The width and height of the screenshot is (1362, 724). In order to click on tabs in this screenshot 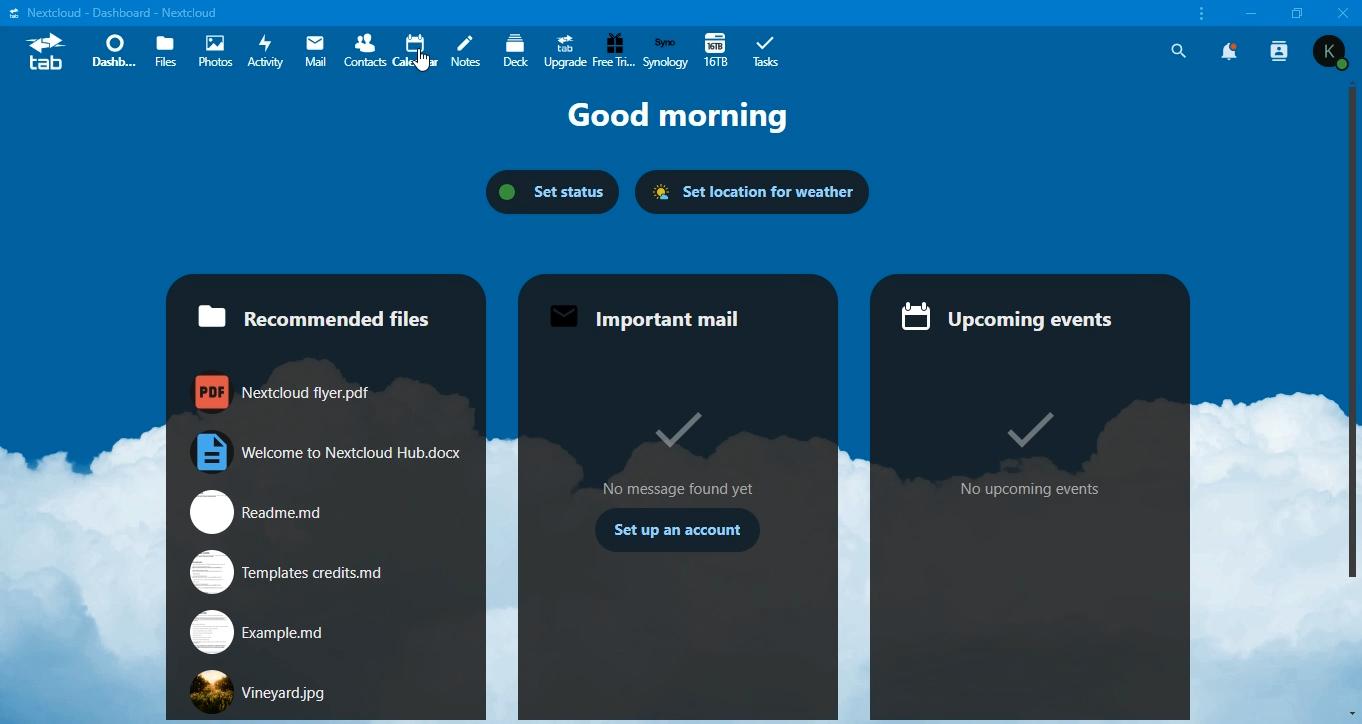, I will do `click(767, 50)`.